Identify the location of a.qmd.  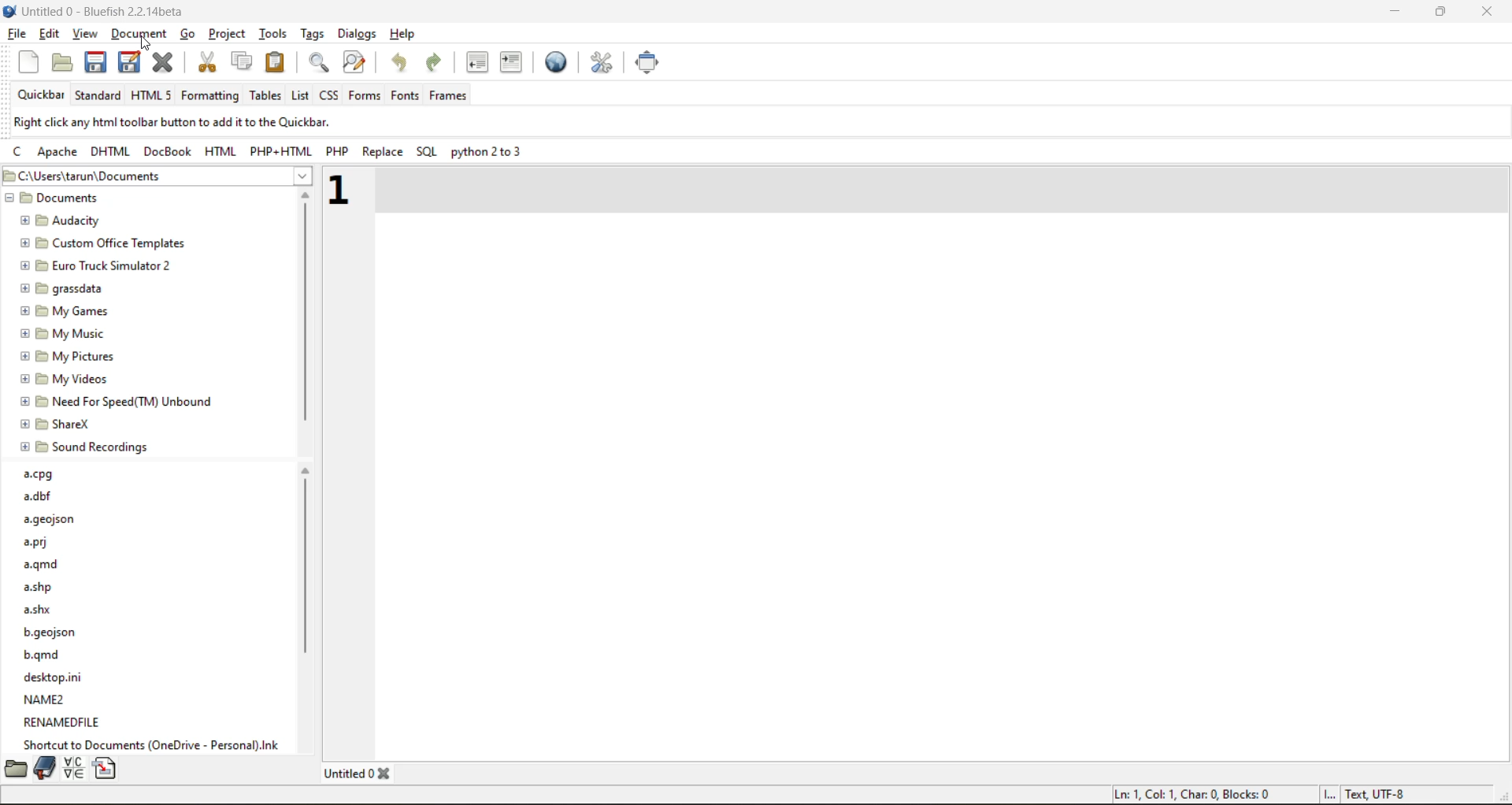
(45, 566).